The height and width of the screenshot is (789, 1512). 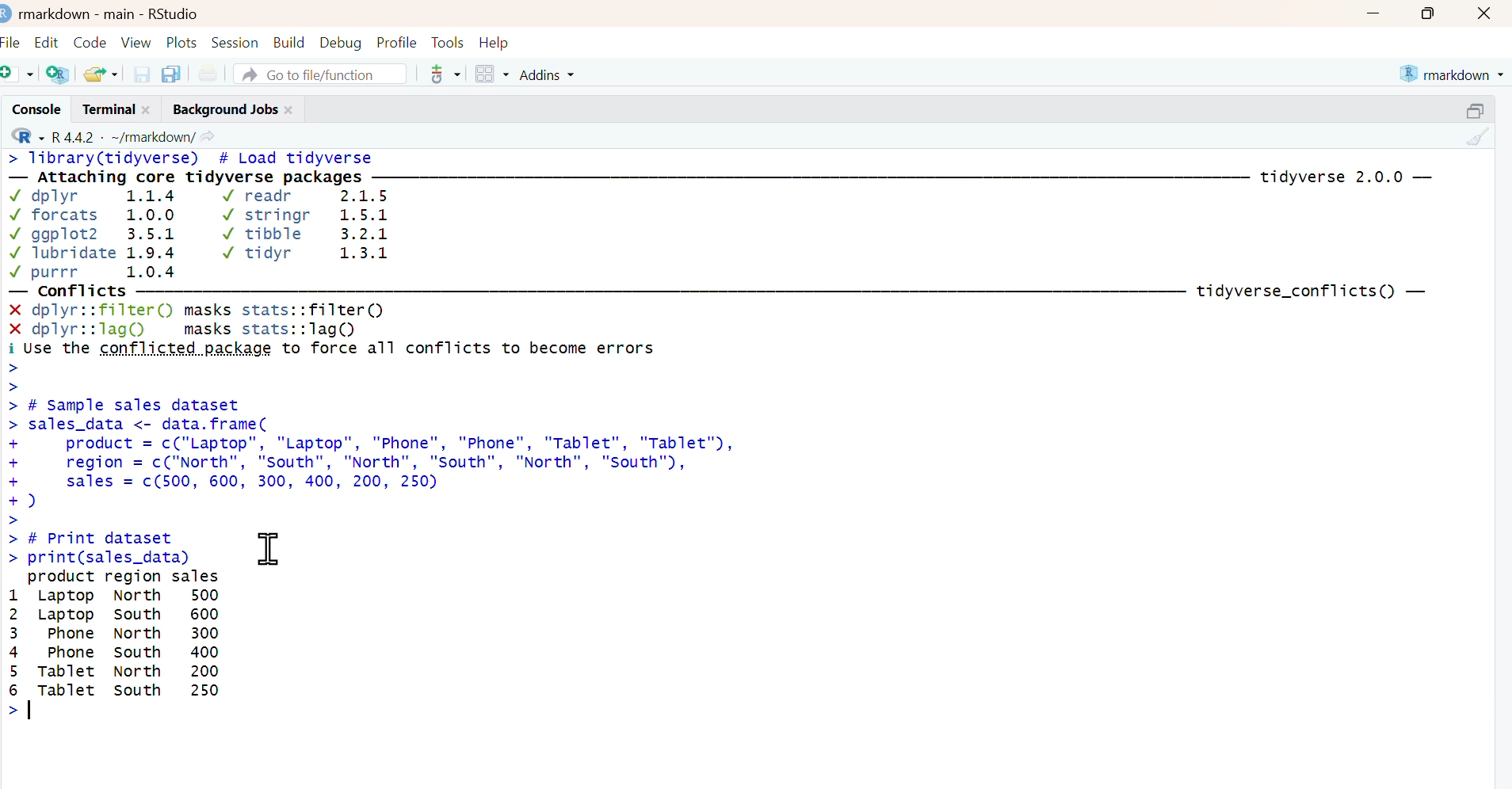 What do you see at coordinates (1480, 108) in the screenshot?
I see `resize` at bounding box center [1480, 108].